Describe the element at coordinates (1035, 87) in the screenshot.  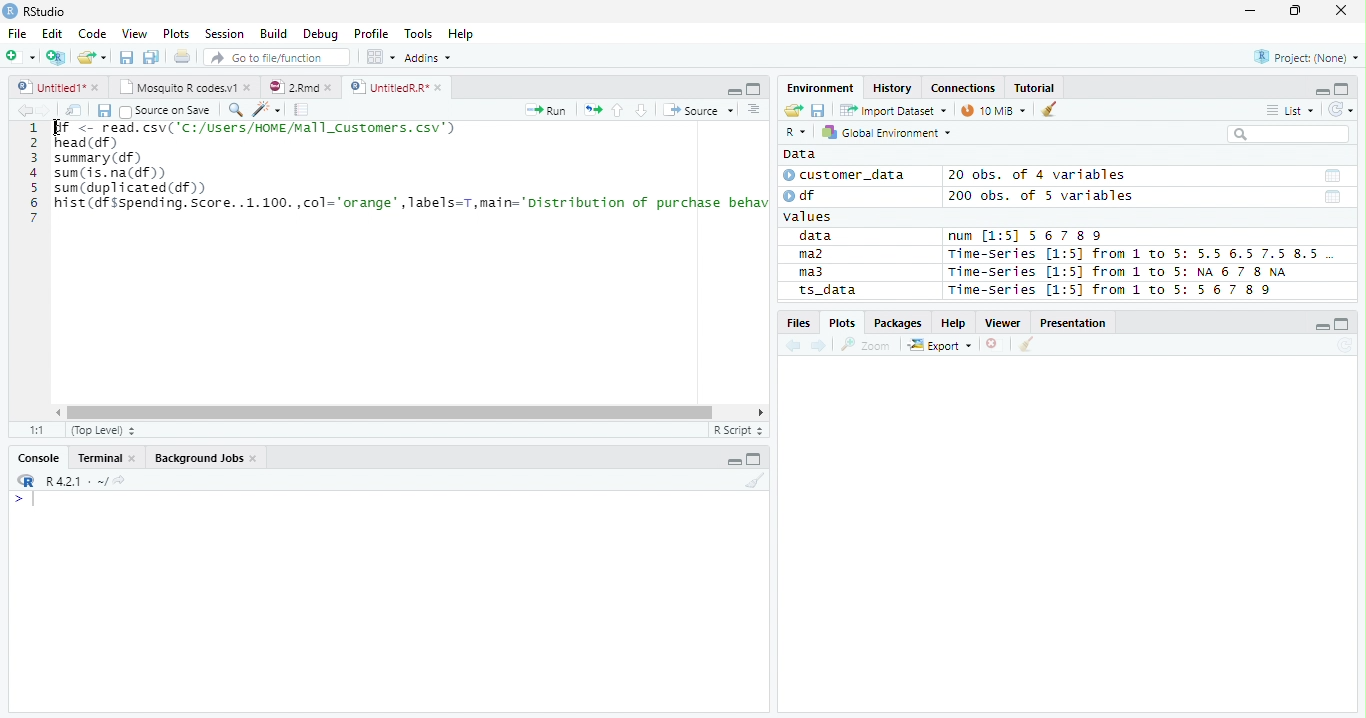
I see `Tutorial` at that location.